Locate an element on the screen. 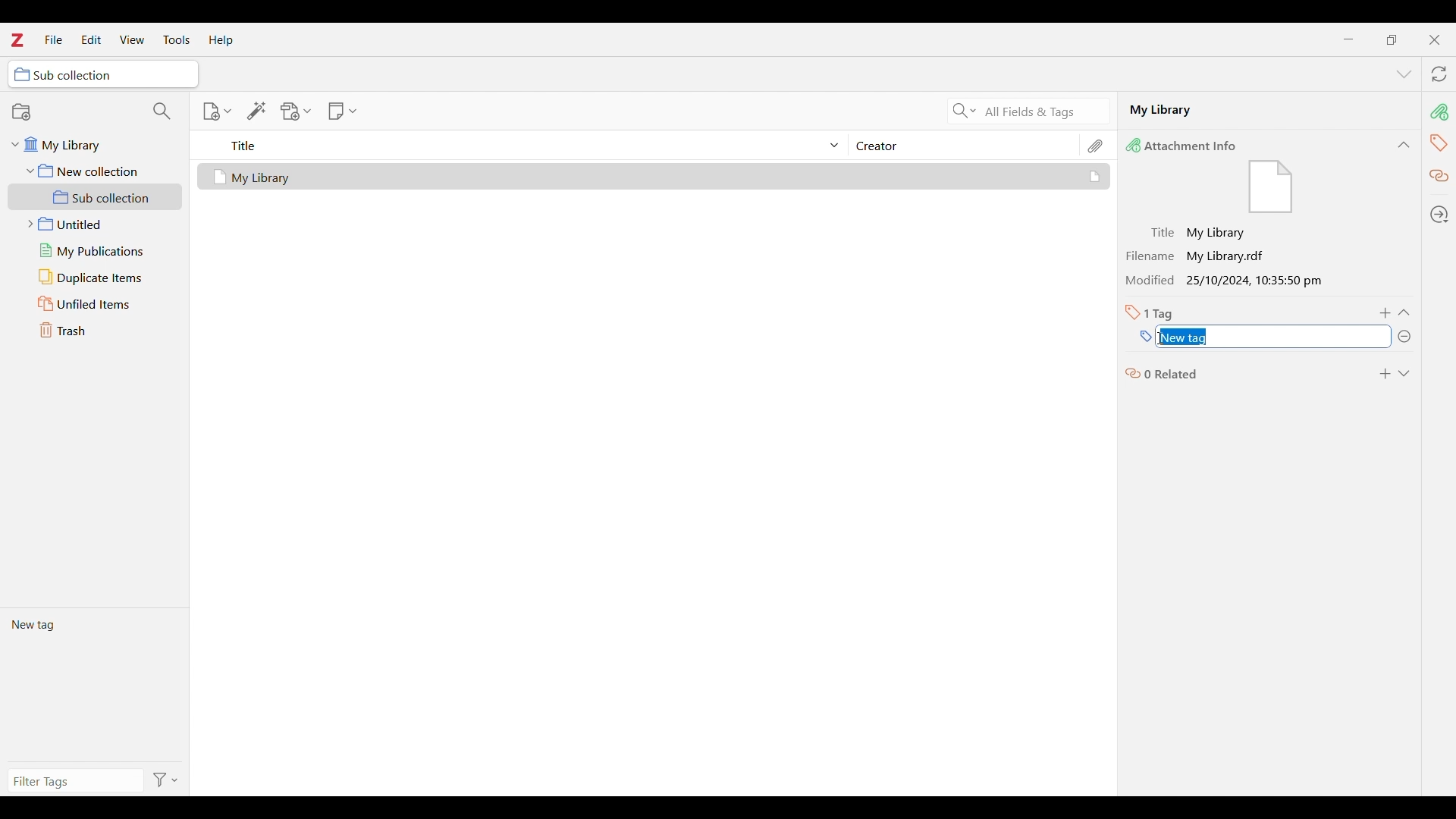  Selected text highlighted is located at coordinates (1186, 337).